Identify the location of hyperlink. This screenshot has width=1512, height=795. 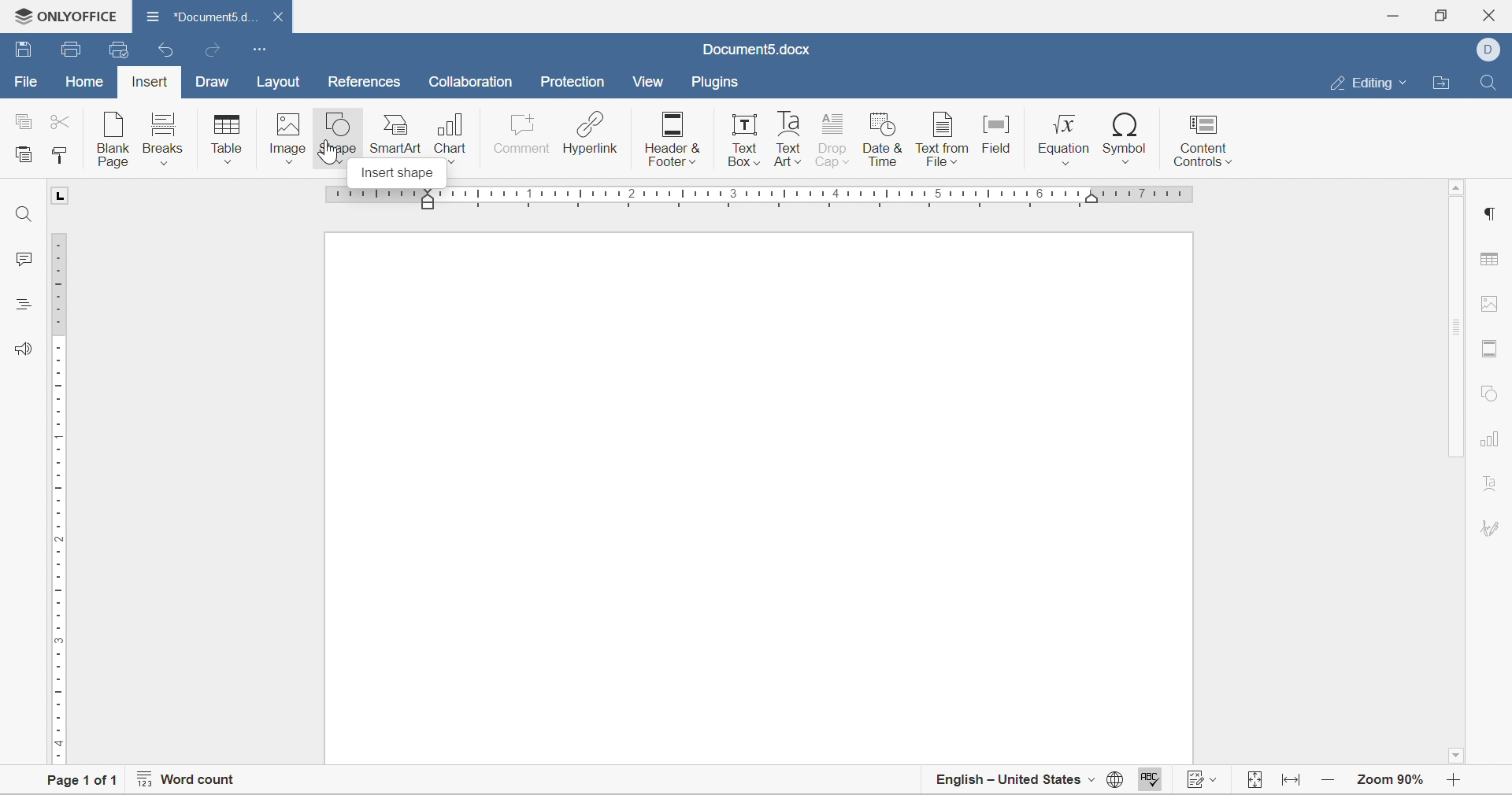
(591, 131).